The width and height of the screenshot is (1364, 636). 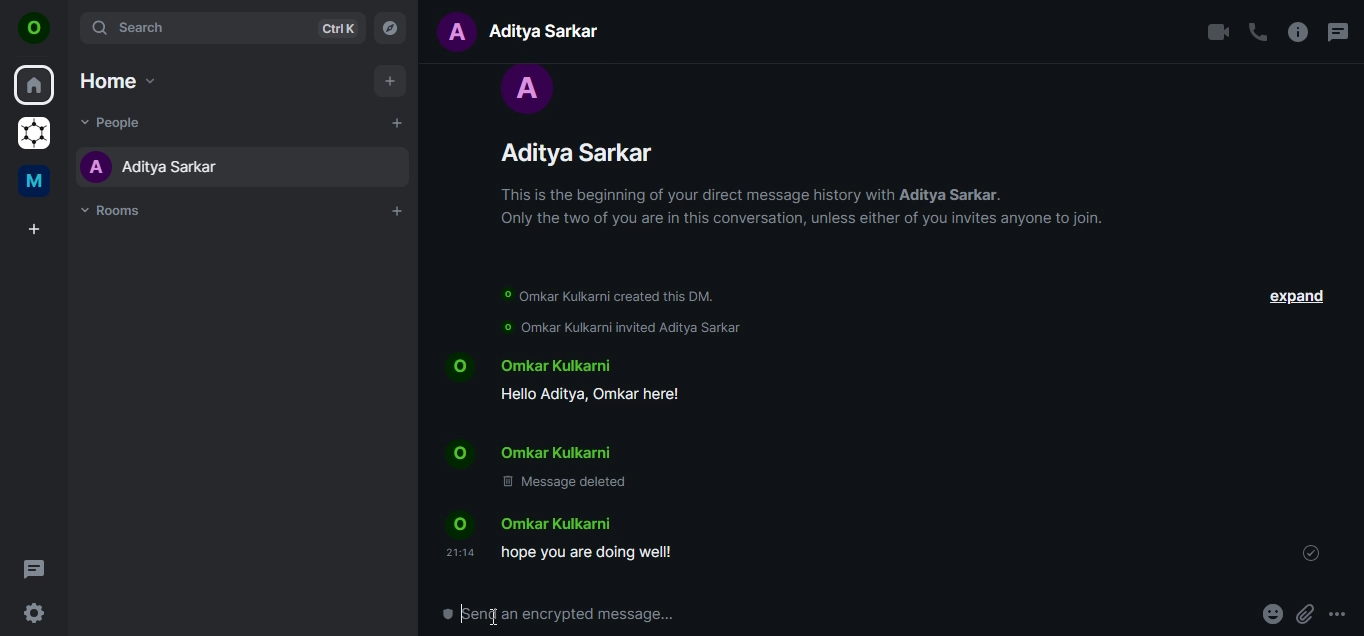 I want to click on threads, so click(x=38, y=570).